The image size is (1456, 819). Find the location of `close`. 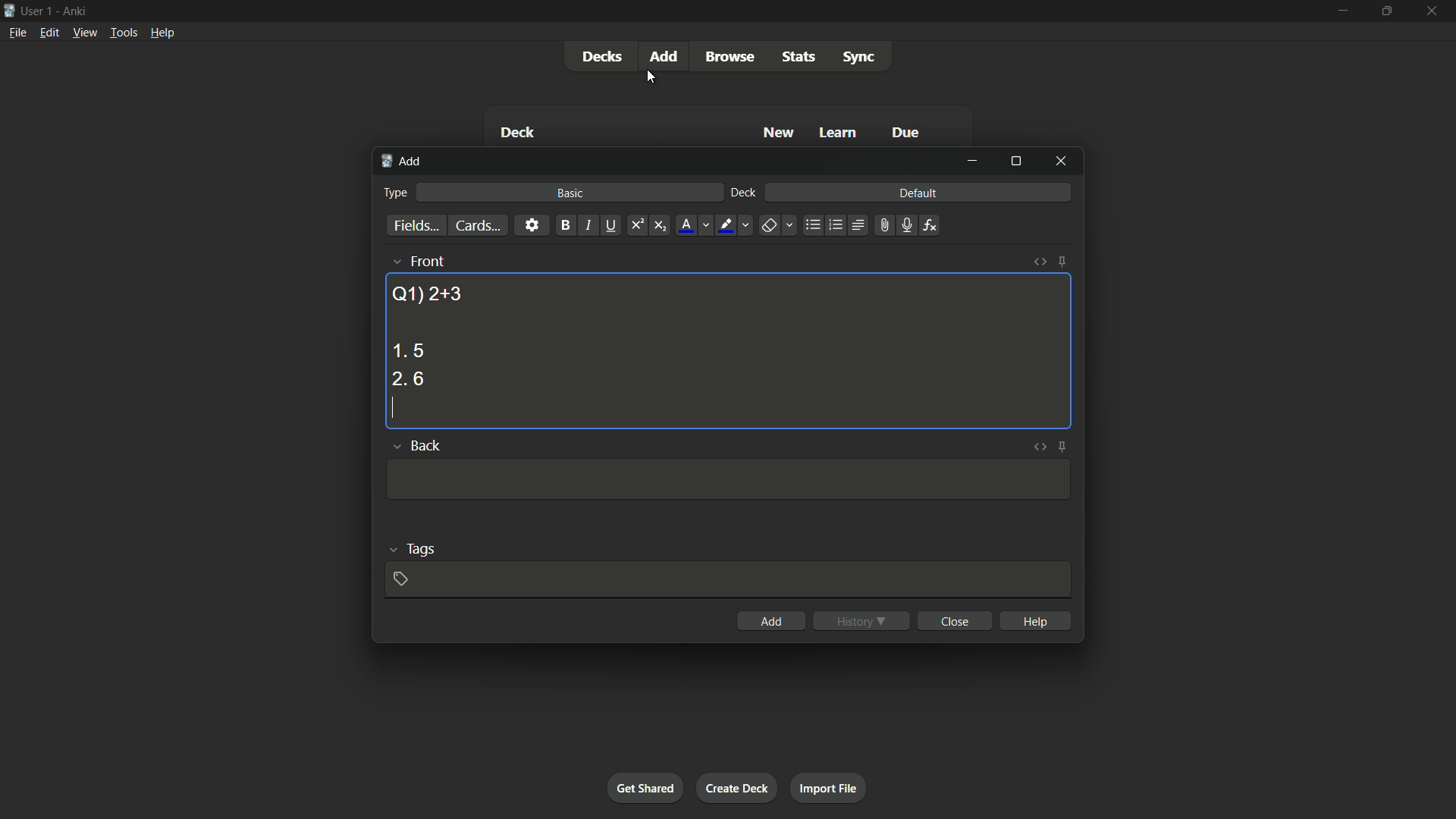

close is located at coordinates (957, 620).